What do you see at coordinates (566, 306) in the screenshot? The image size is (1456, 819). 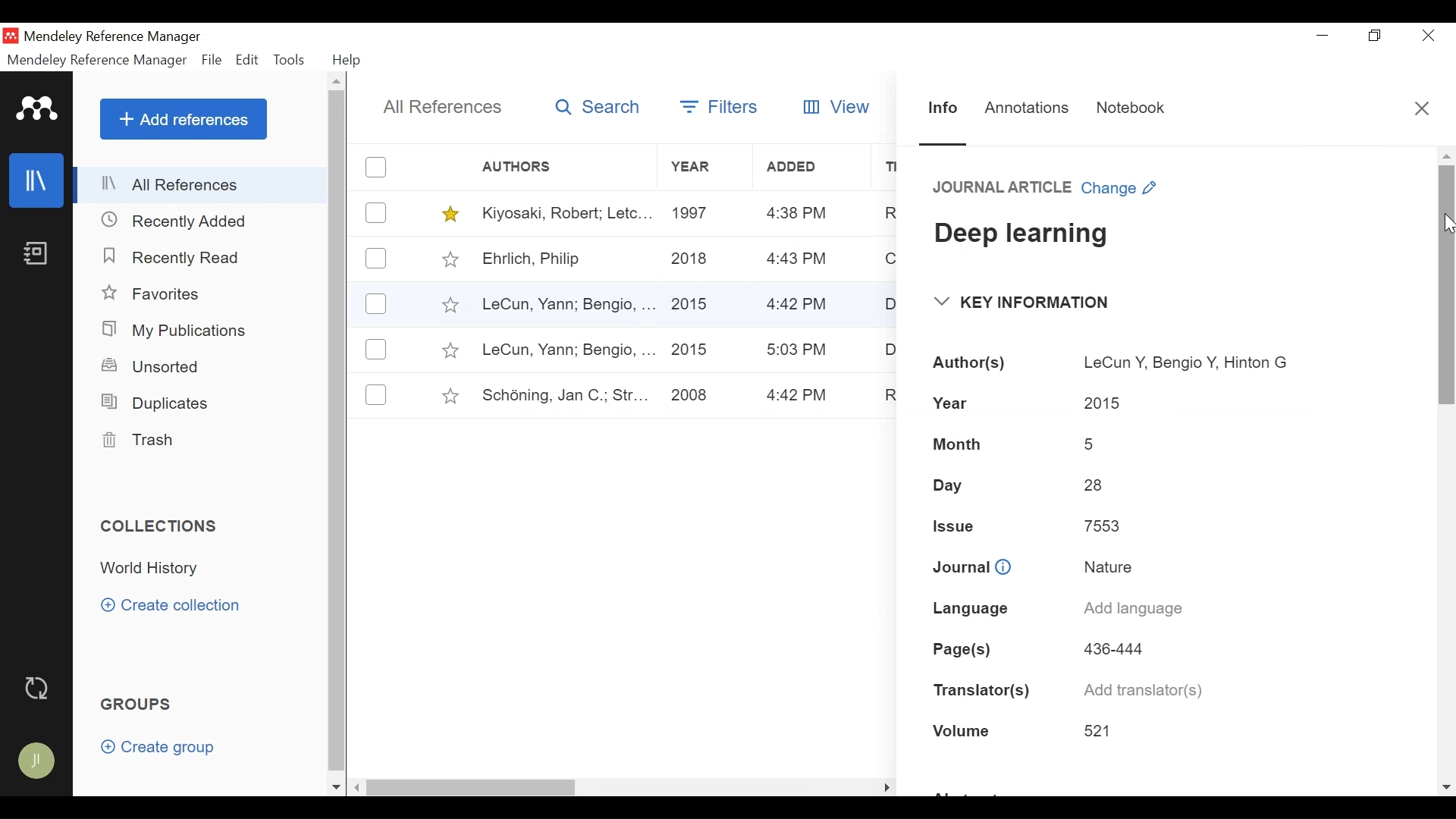 I see `LeCun, Yann, Bengio` at bounding box center [566, 306].